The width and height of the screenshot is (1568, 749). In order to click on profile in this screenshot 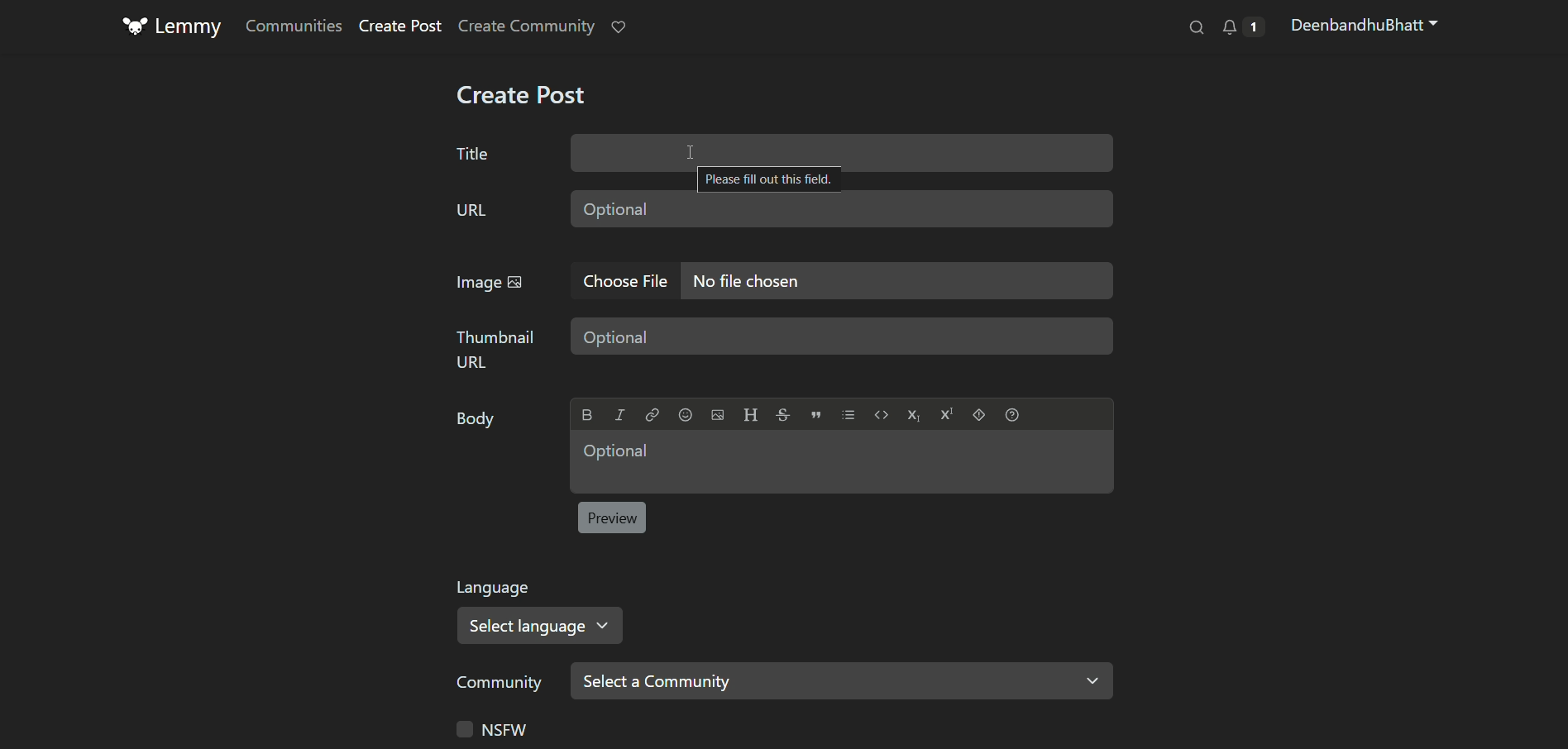, I will do `click(1365, 27)`.